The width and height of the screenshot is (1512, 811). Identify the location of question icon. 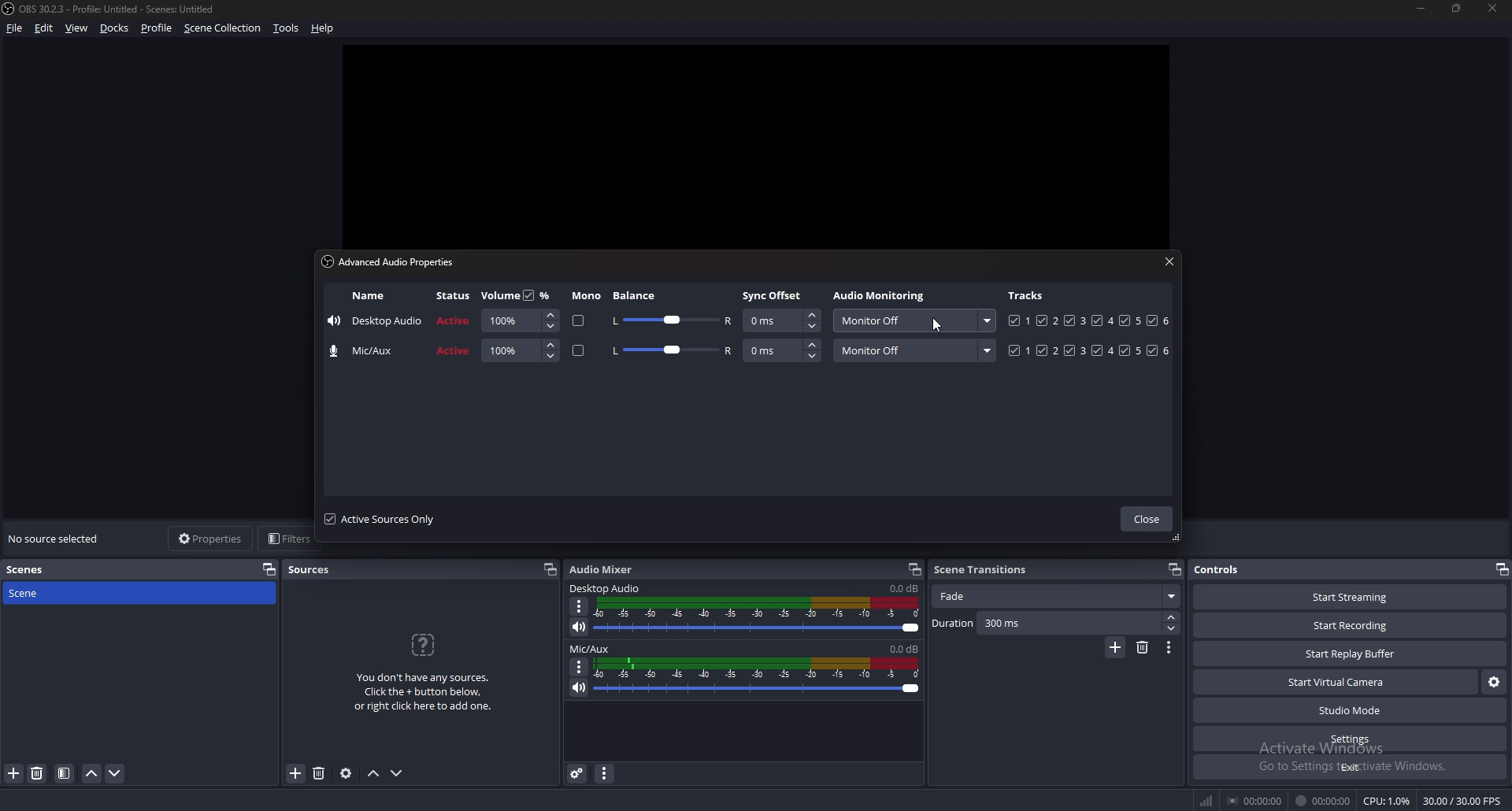
(423, 645).